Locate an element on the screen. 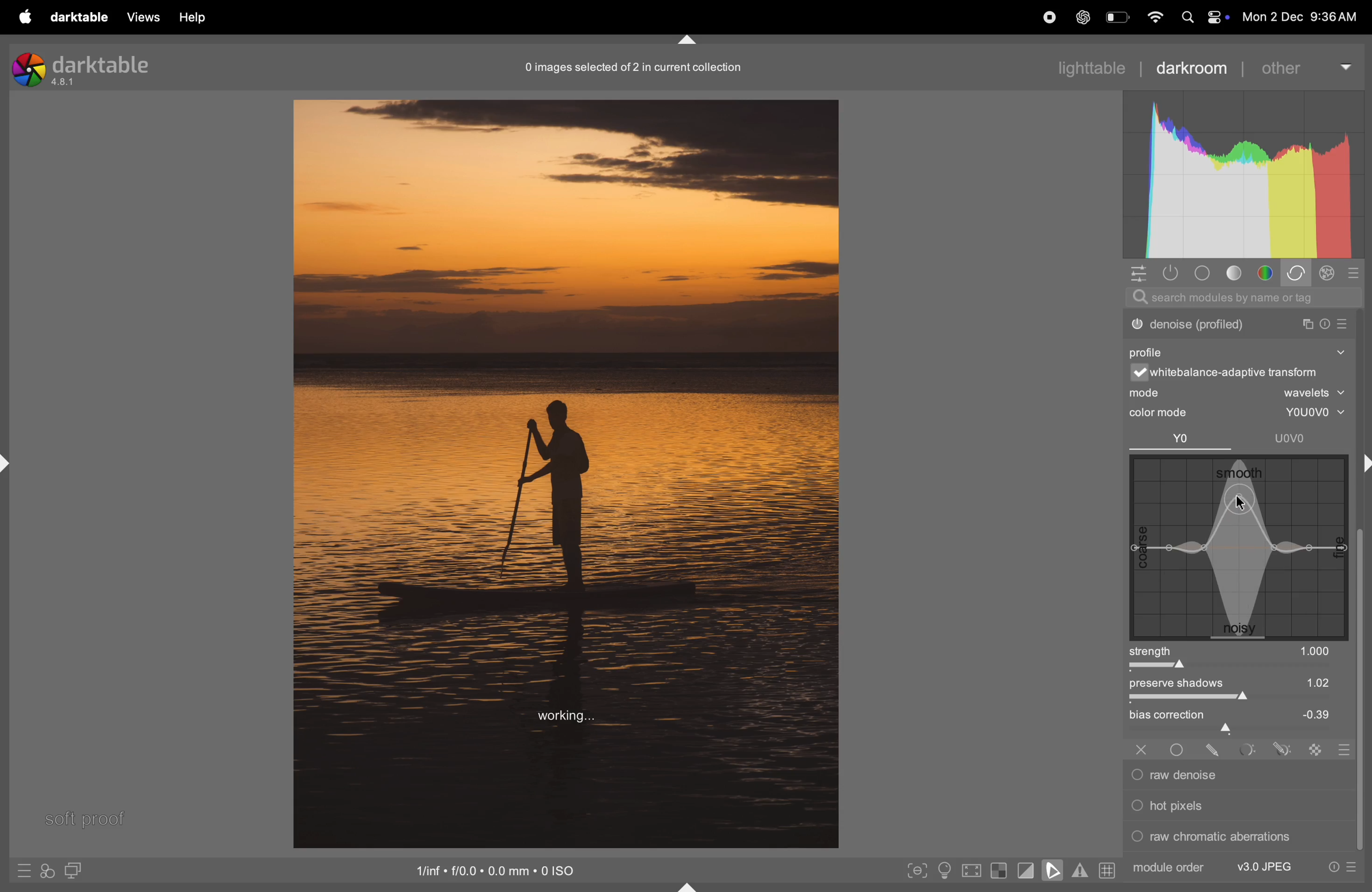 Image resolution: width=1372 pixels, height=892 pixels. bias correction is located at coordinates (1241, 716).